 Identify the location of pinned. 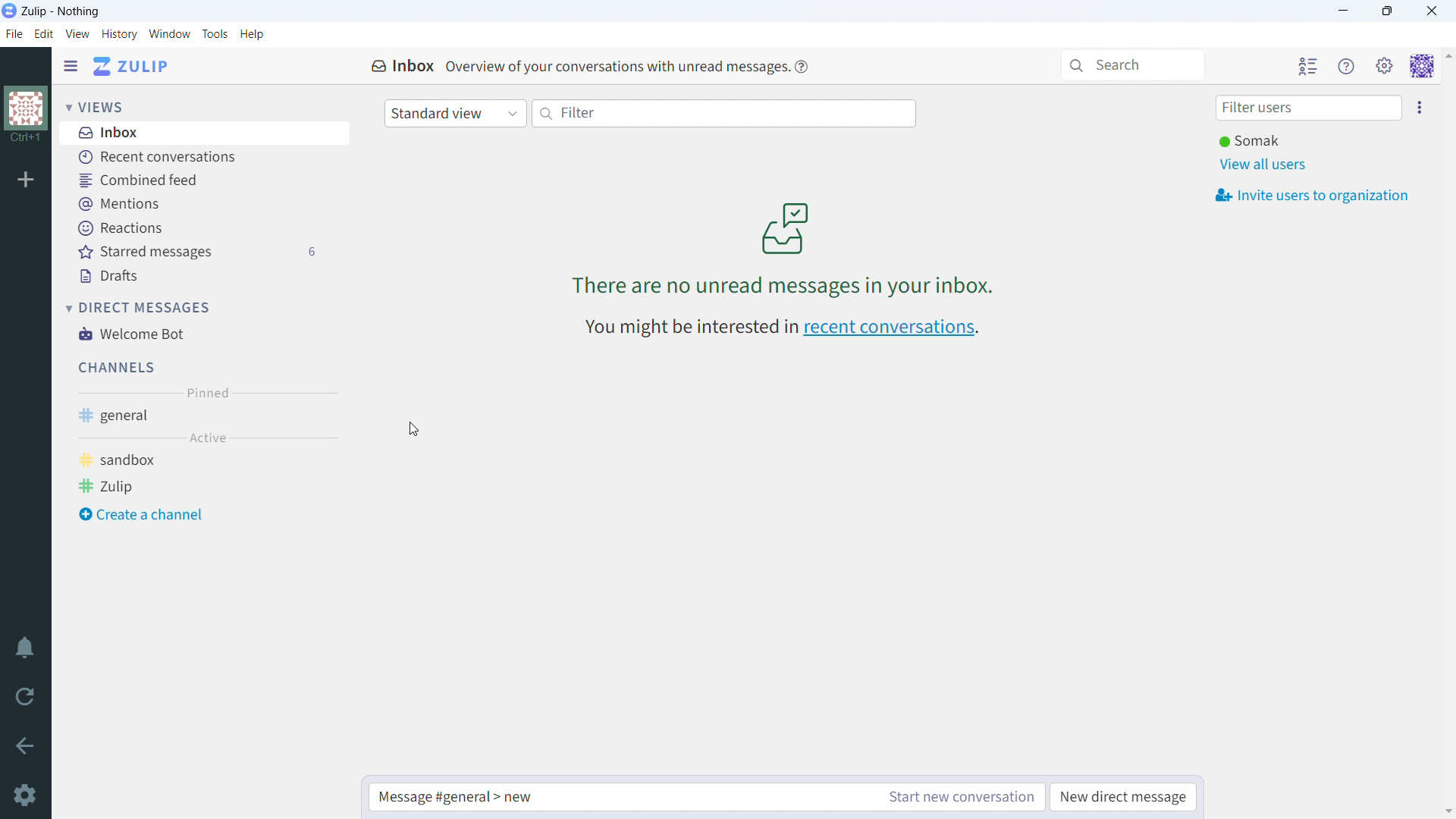
(208, 393).